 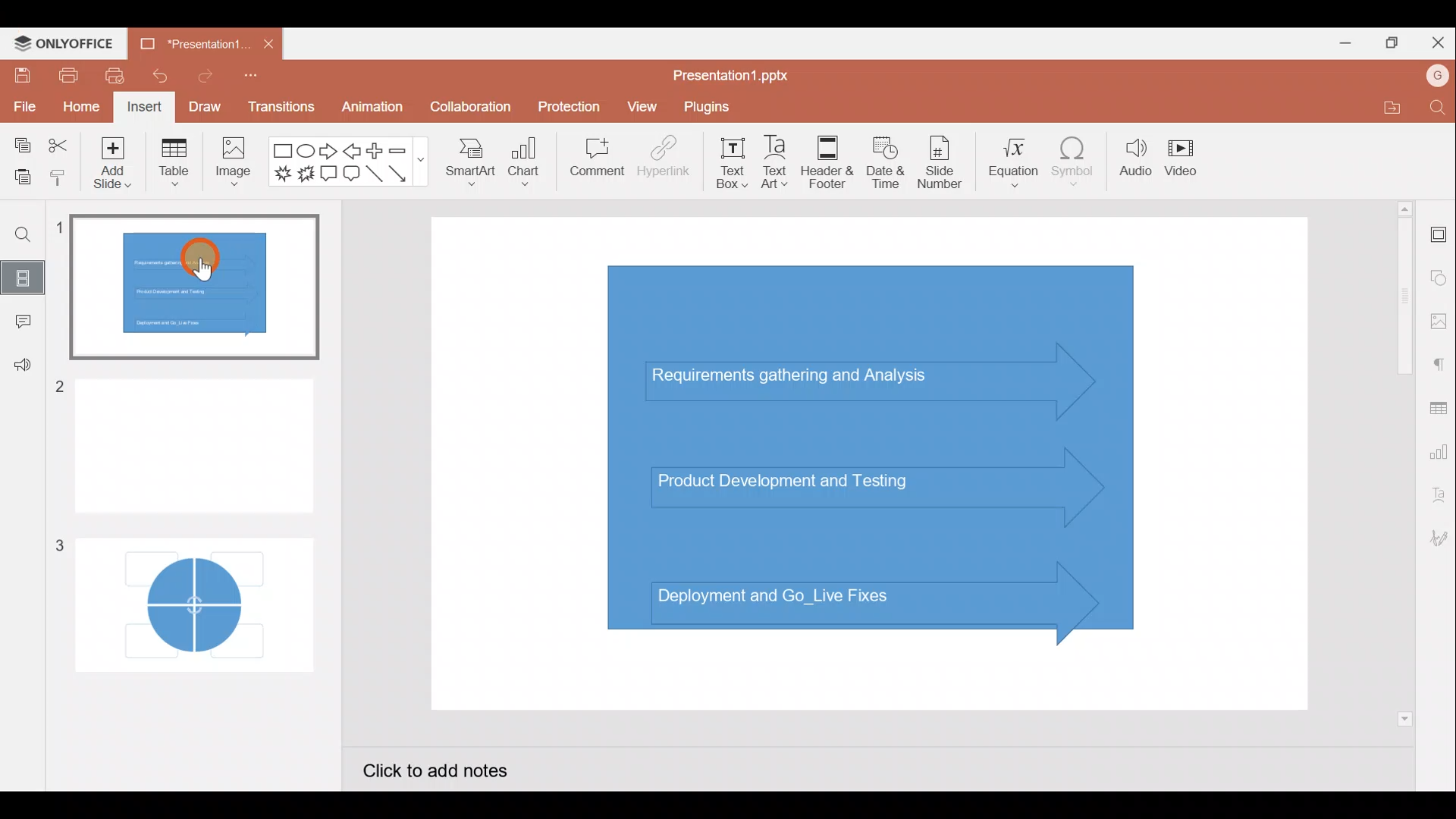 I want to click on Header & footer, so click(x=831, y=162).